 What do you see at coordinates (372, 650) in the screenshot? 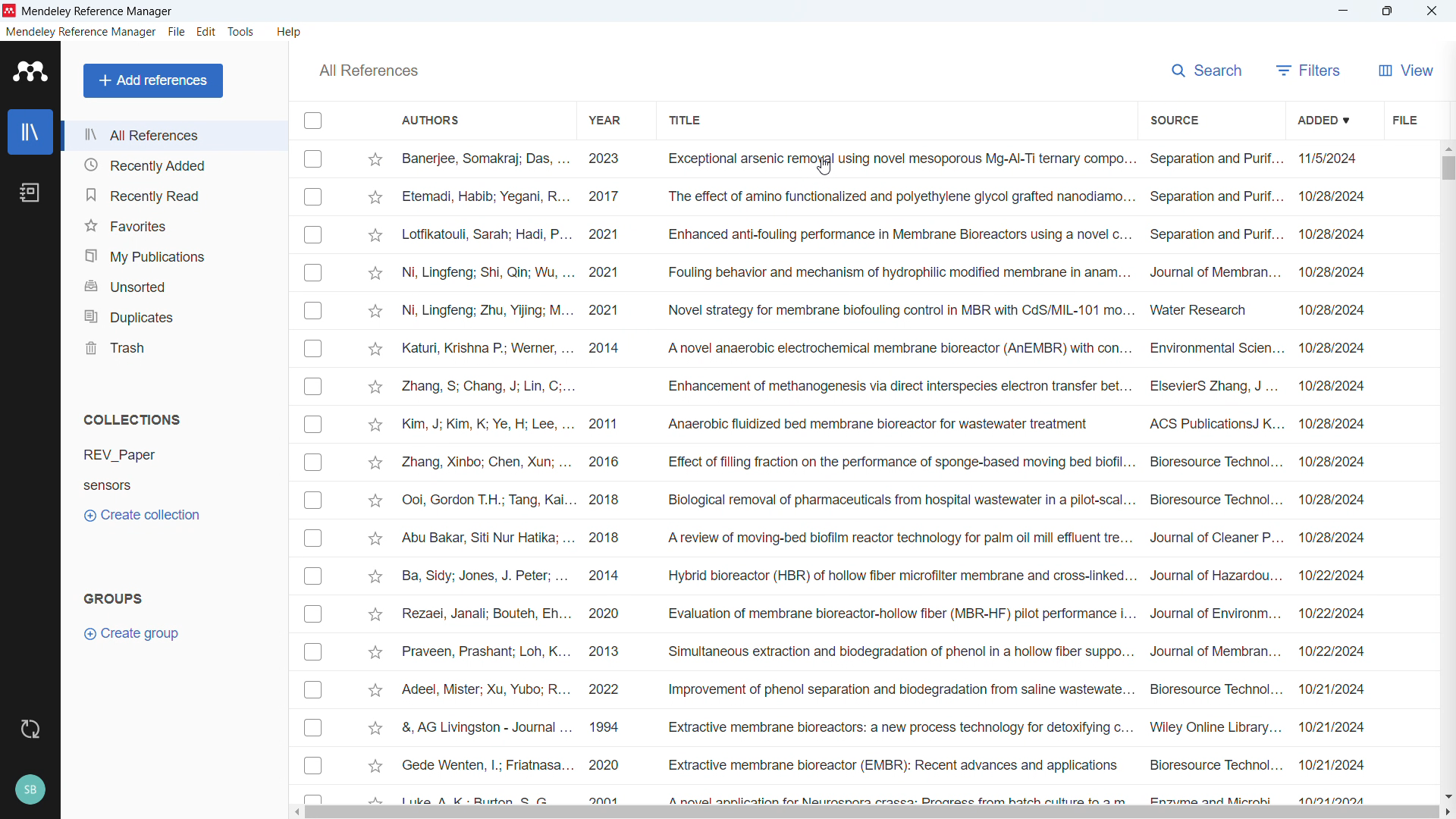
I see `click to starmark individuals entries` at bounding box center [372, 650].